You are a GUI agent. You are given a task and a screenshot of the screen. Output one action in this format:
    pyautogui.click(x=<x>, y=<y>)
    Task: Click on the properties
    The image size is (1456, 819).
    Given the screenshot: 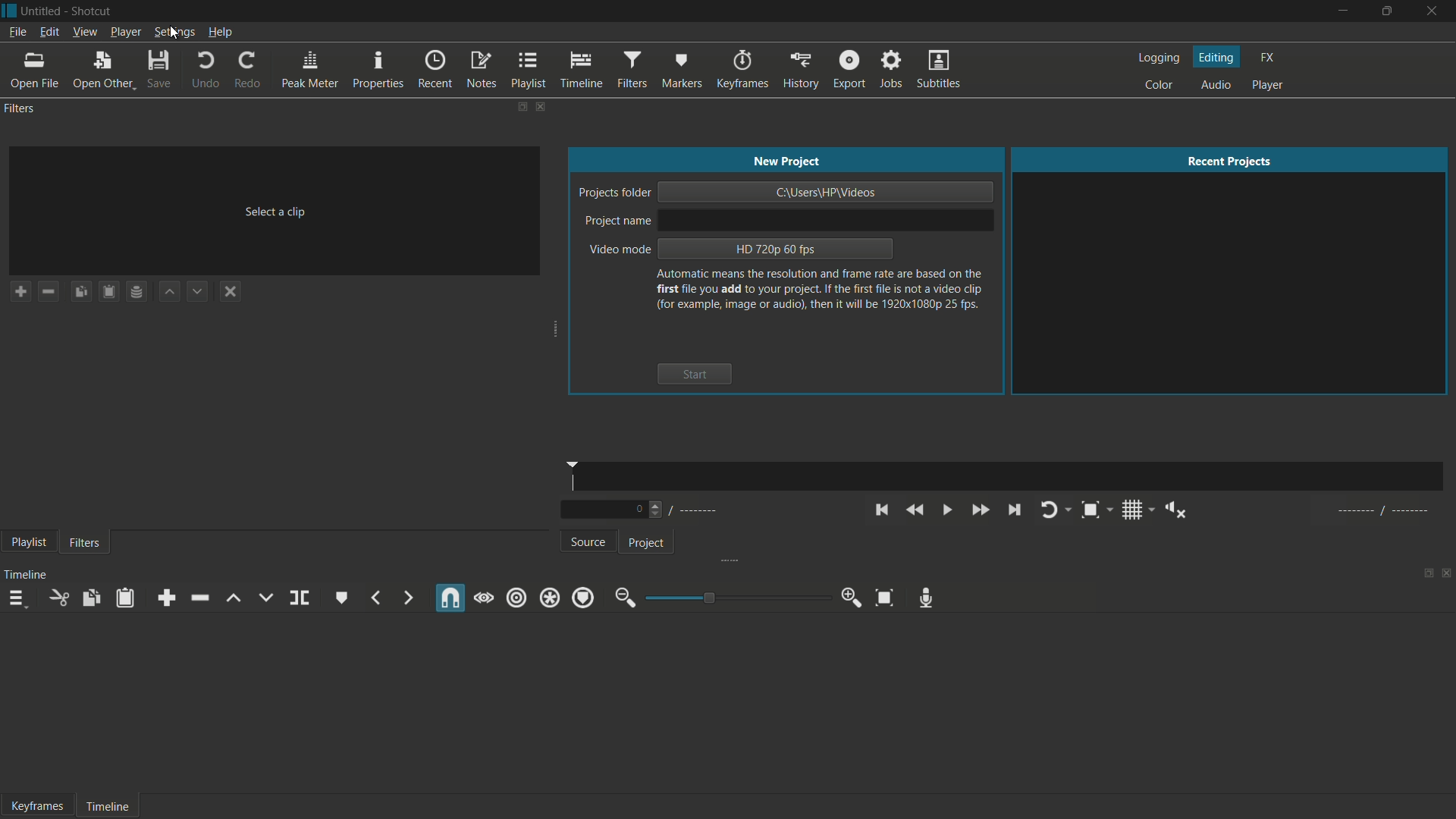 What is the action you would take?
    pyautogui.click(x=379, y=71)
    